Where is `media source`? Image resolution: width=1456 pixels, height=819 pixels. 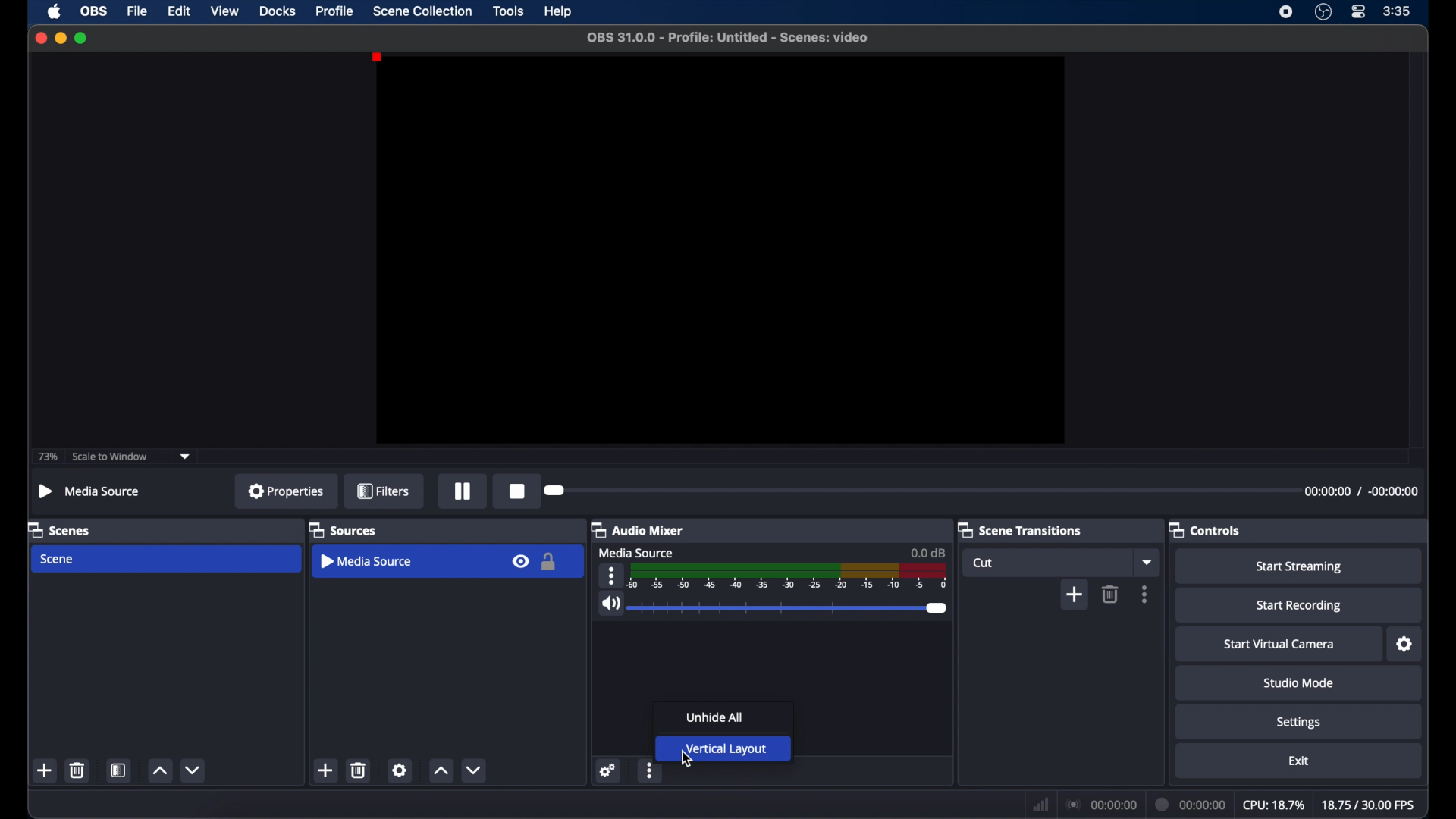
media source is located at coordinates (368, 560).